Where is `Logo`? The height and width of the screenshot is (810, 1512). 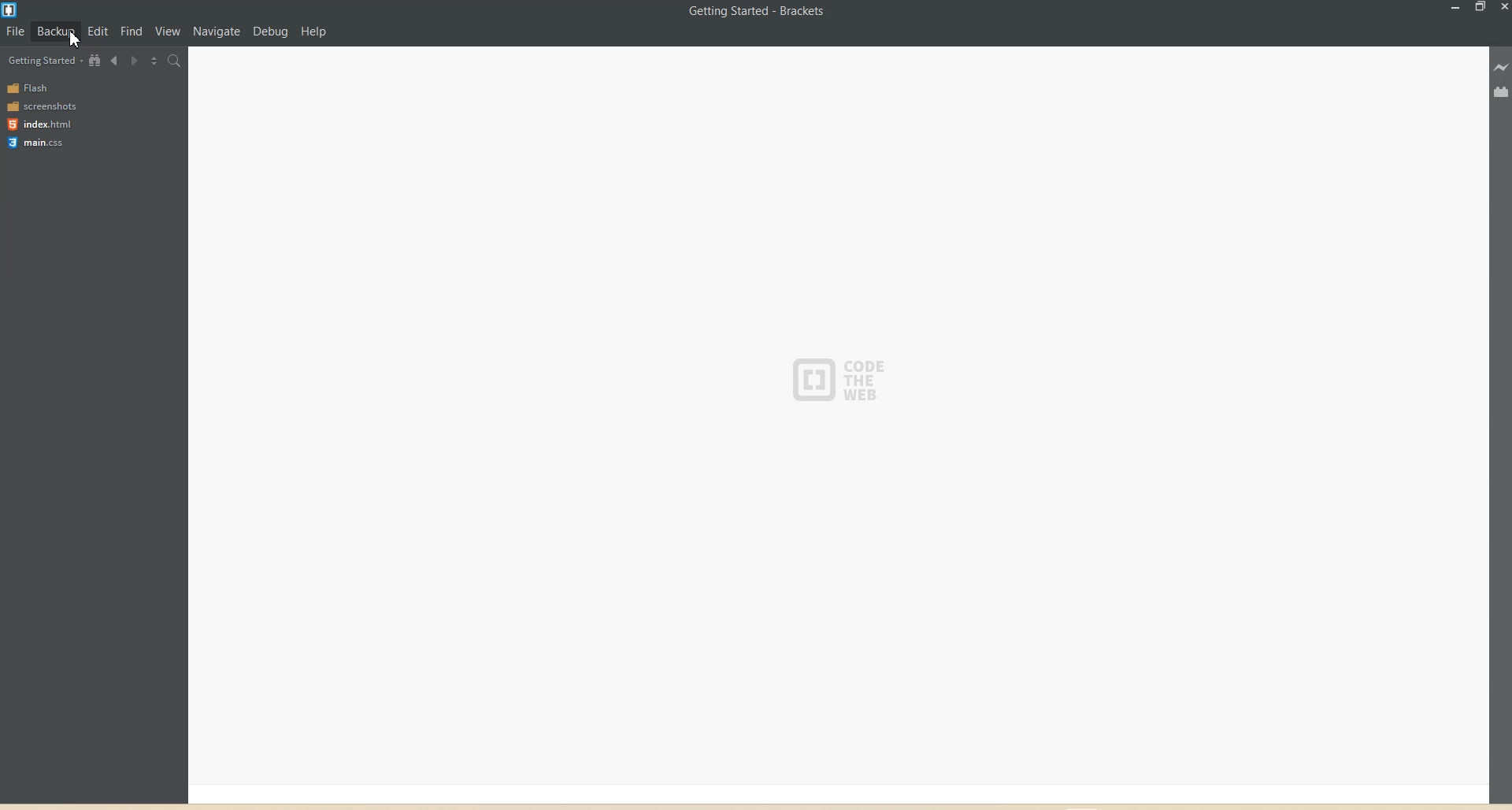 Logo is located at coordinates (12, 10).